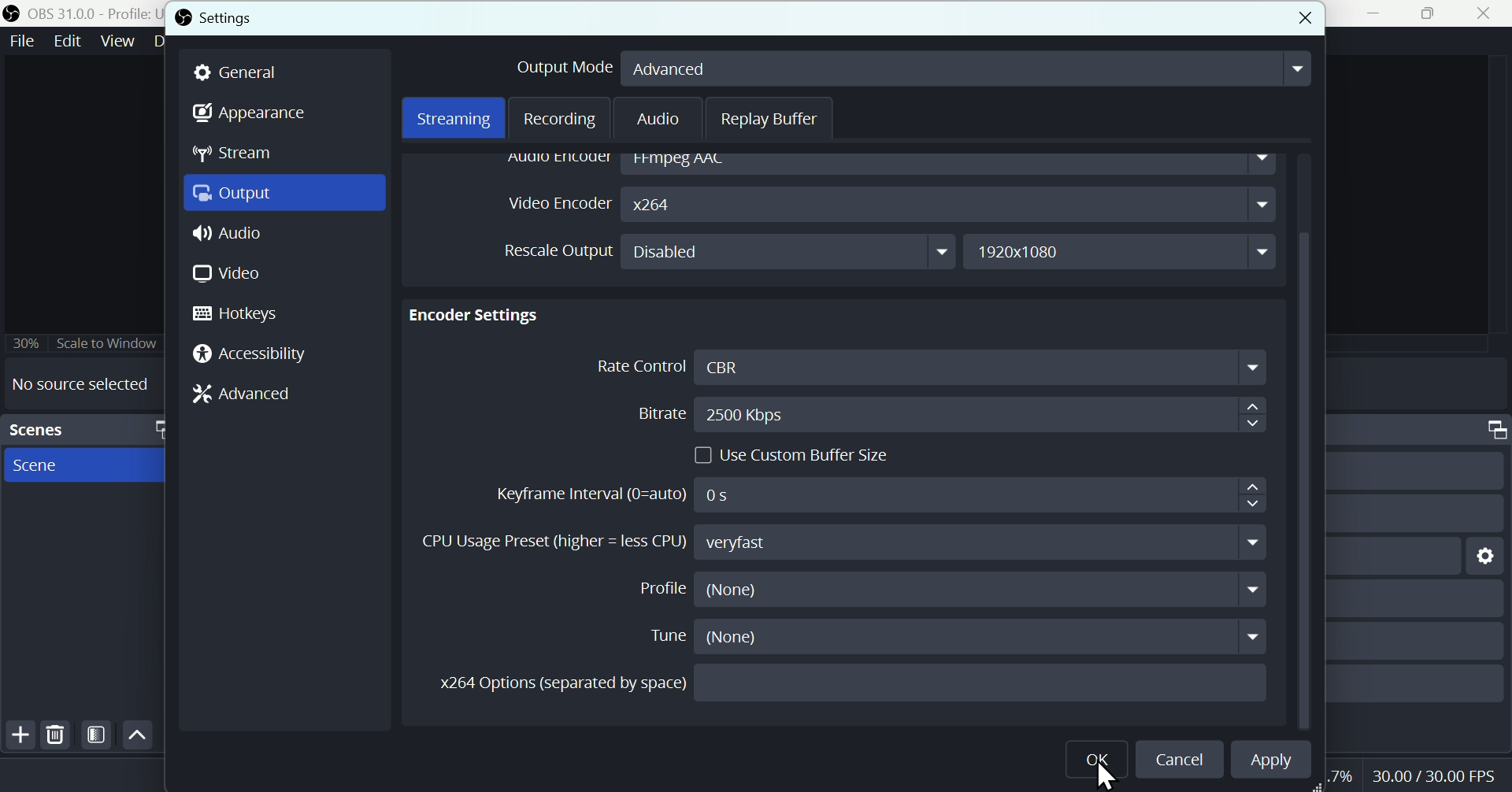 Image resolution: width=1512 pixels, height=792 pixels. What do you see at coordinates (1100, 760) in the screenshot?
I see `Ok` at bounding box center [1100, 760].